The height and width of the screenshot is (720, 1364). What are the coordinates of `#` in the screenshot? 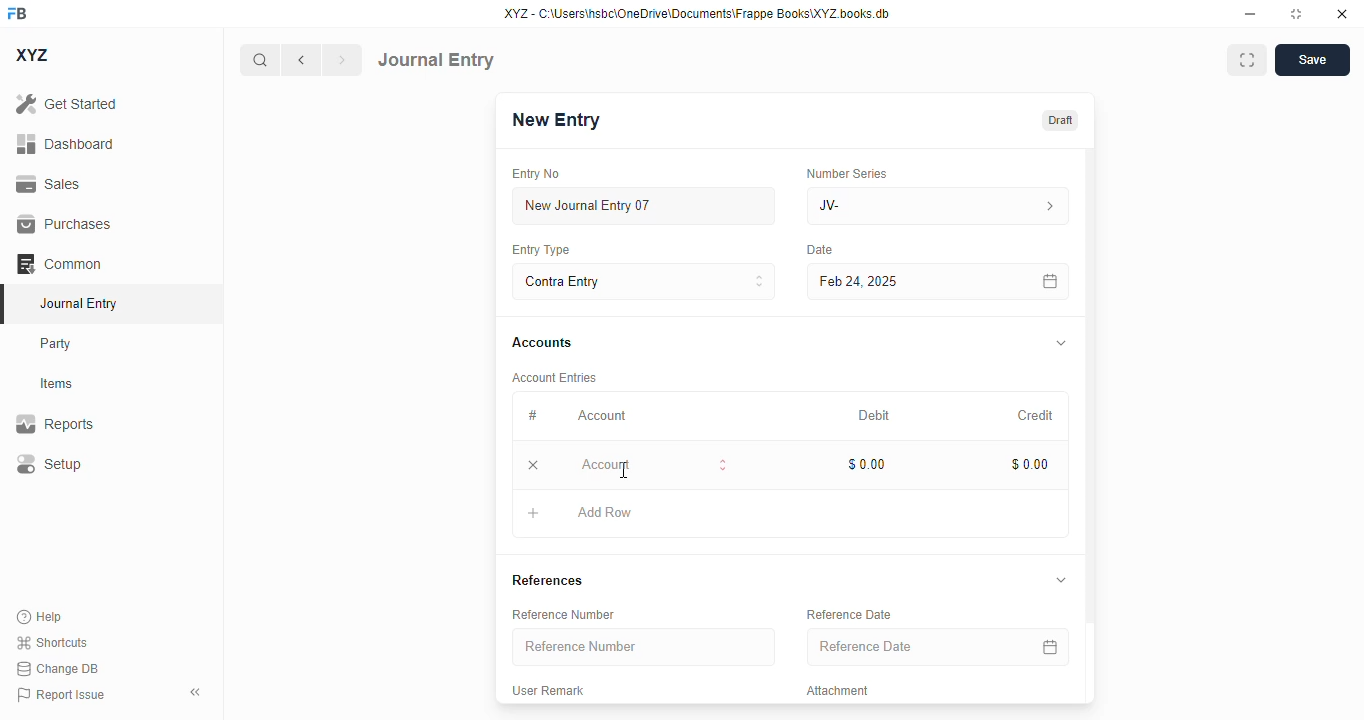 It's located at (531, 415).